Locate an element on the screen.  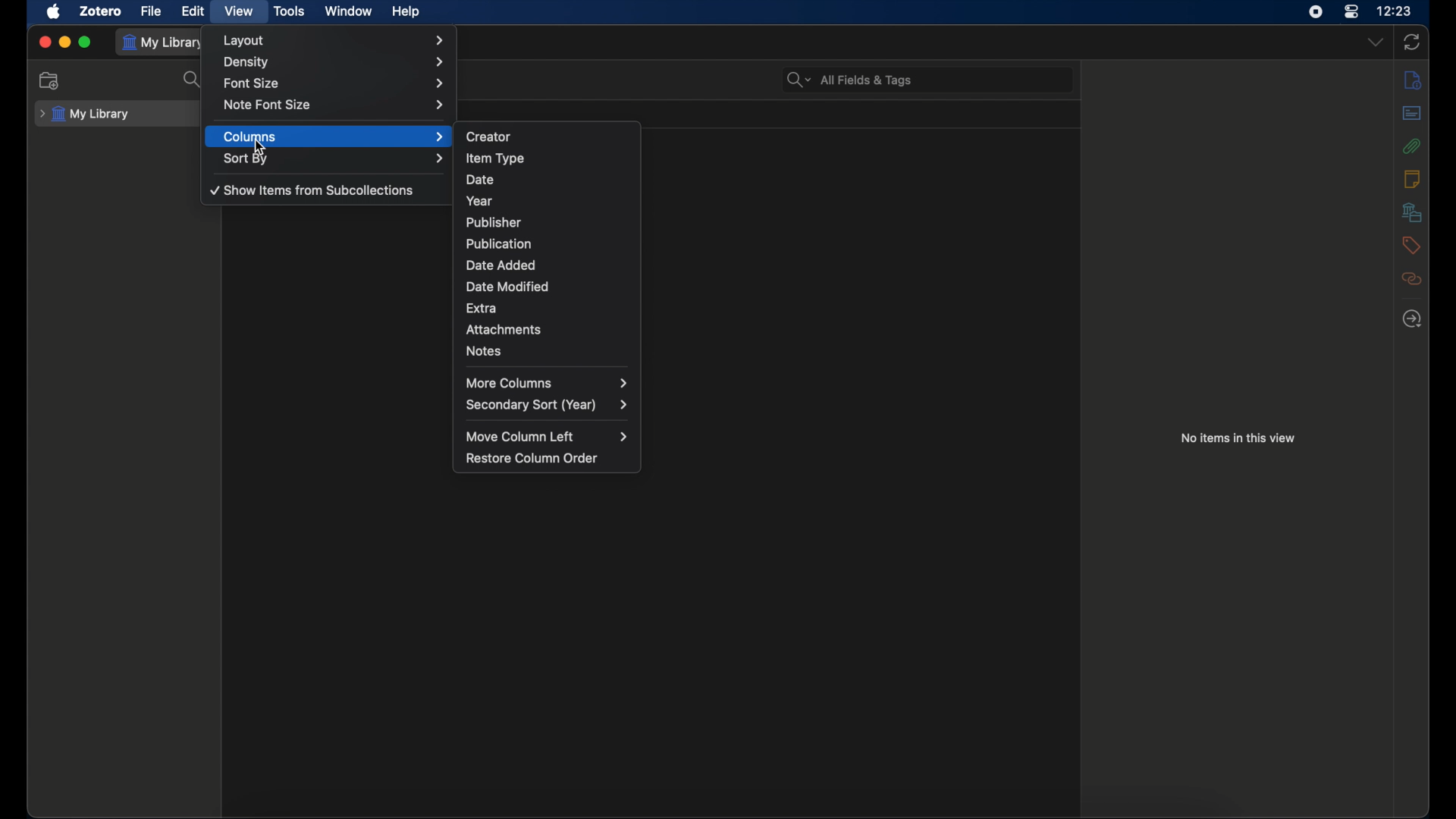
new collection is located at coordinates (49, 80).